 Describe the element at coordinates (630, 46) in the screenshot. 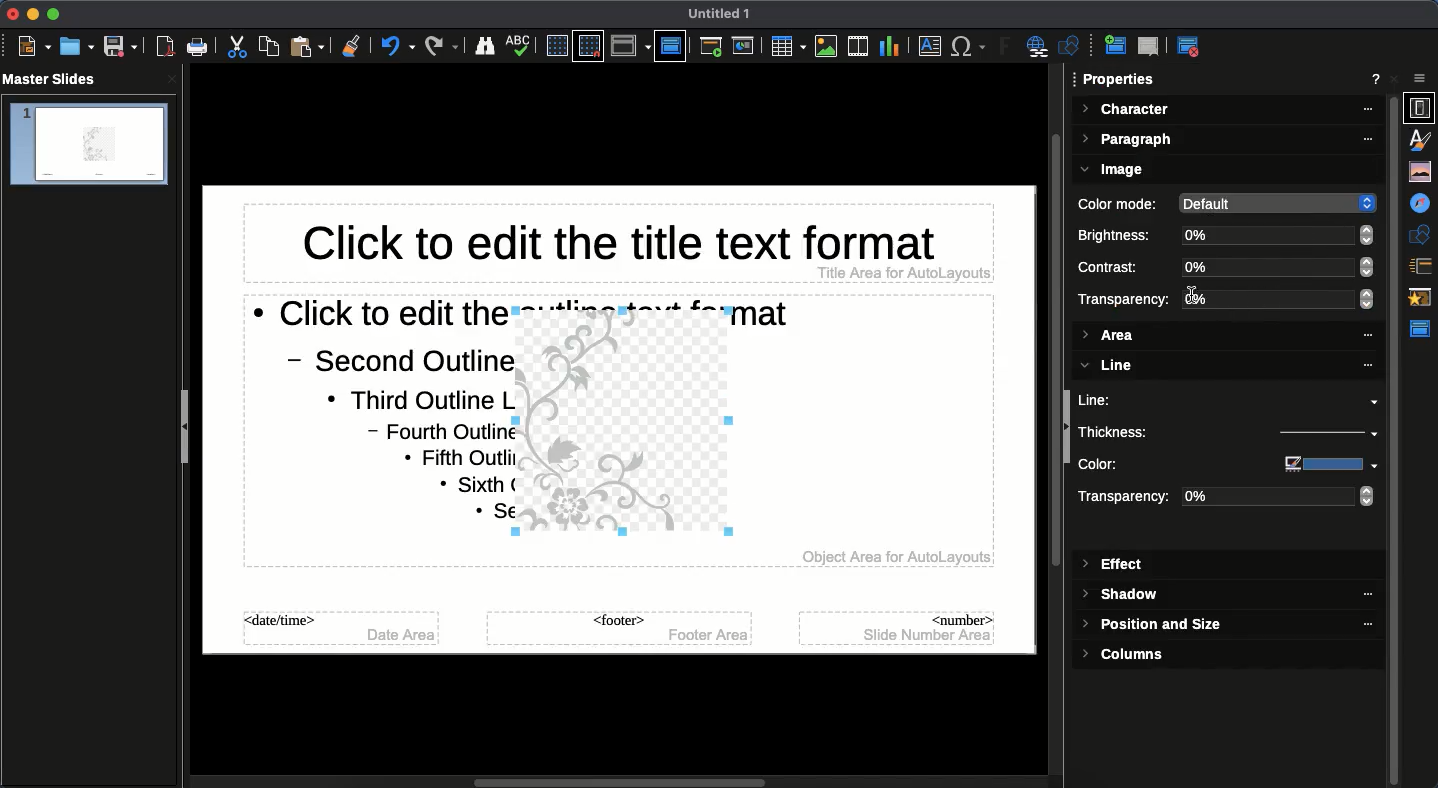

I see `Display view` at that location.